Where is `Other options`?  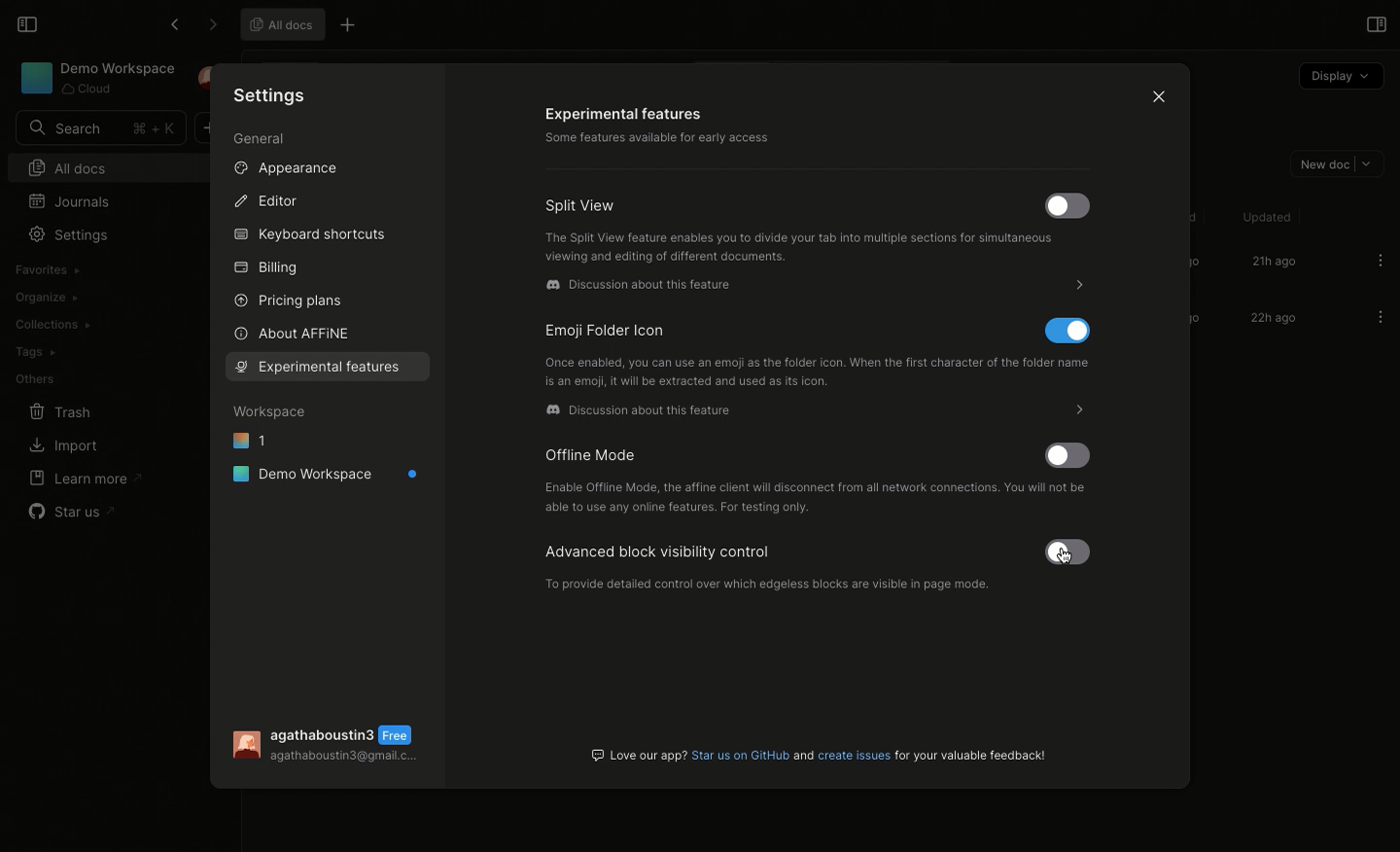 Other options is located at coordinates (350, 27).